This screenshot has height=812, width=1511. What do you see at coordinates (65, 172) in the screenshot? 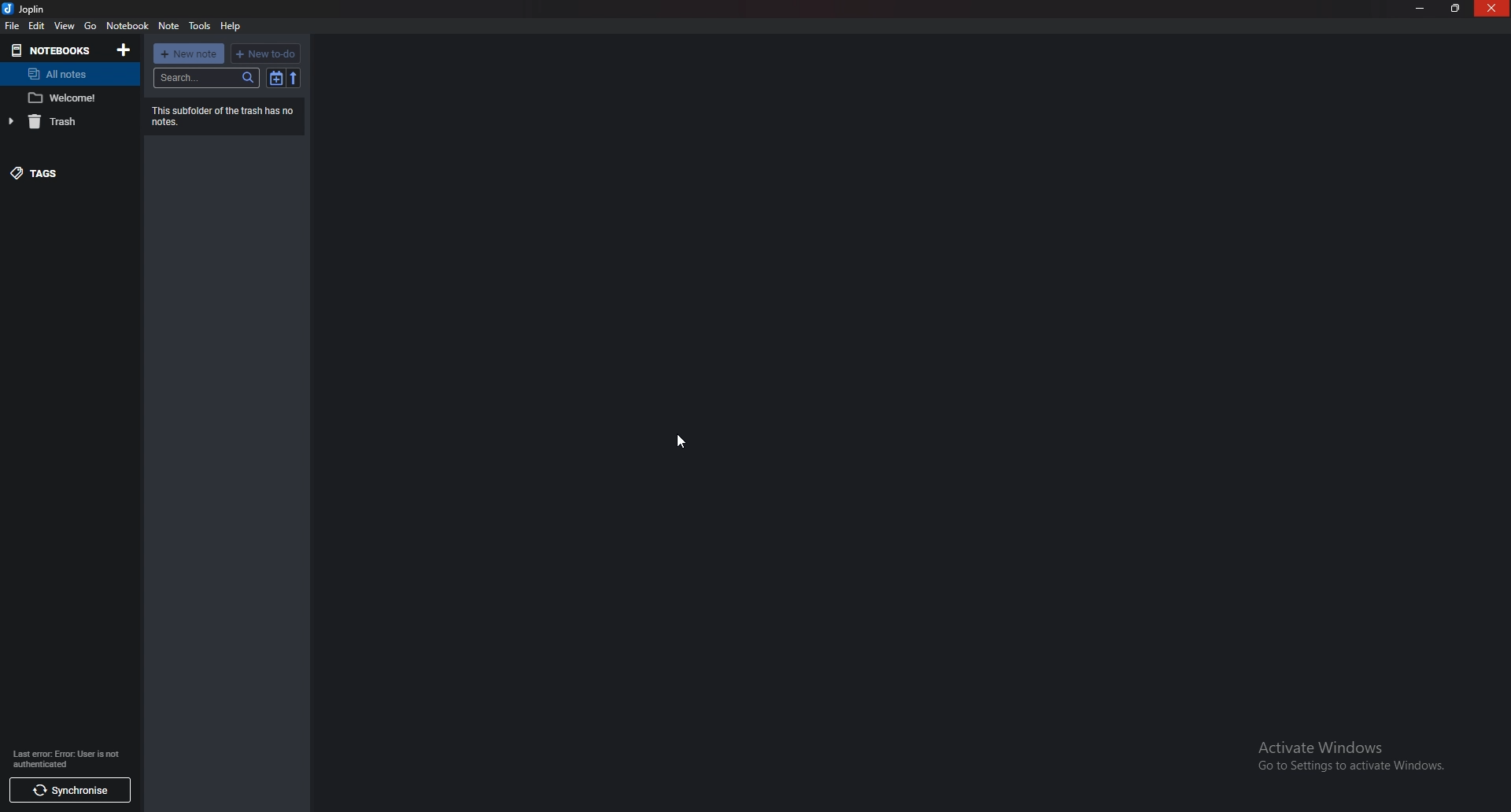
I see `Tags` at bounding box center [65, 172].